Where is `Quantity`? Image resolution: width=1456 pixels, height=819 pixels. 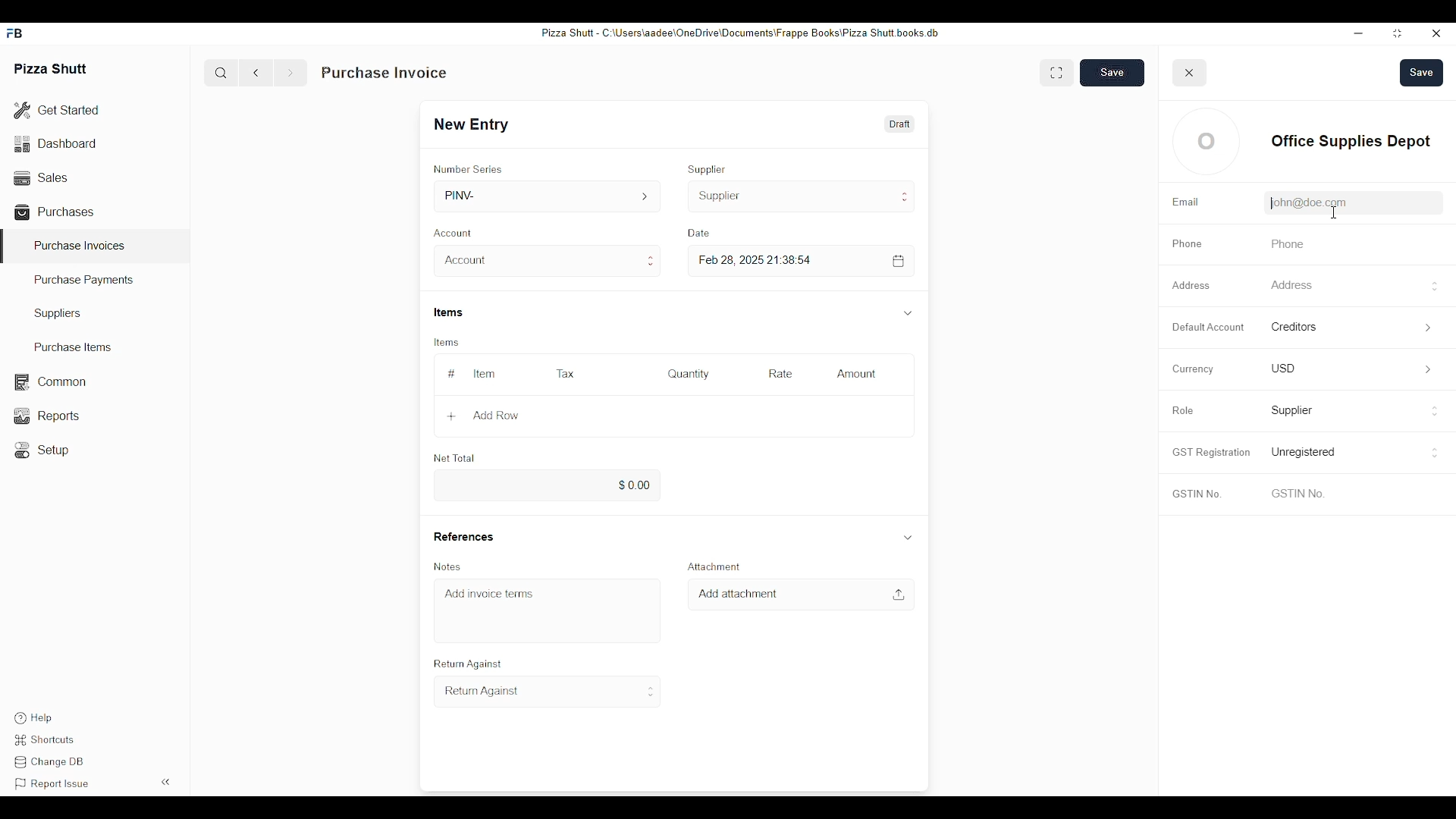 Quantity is located at coordinates (688, 374).